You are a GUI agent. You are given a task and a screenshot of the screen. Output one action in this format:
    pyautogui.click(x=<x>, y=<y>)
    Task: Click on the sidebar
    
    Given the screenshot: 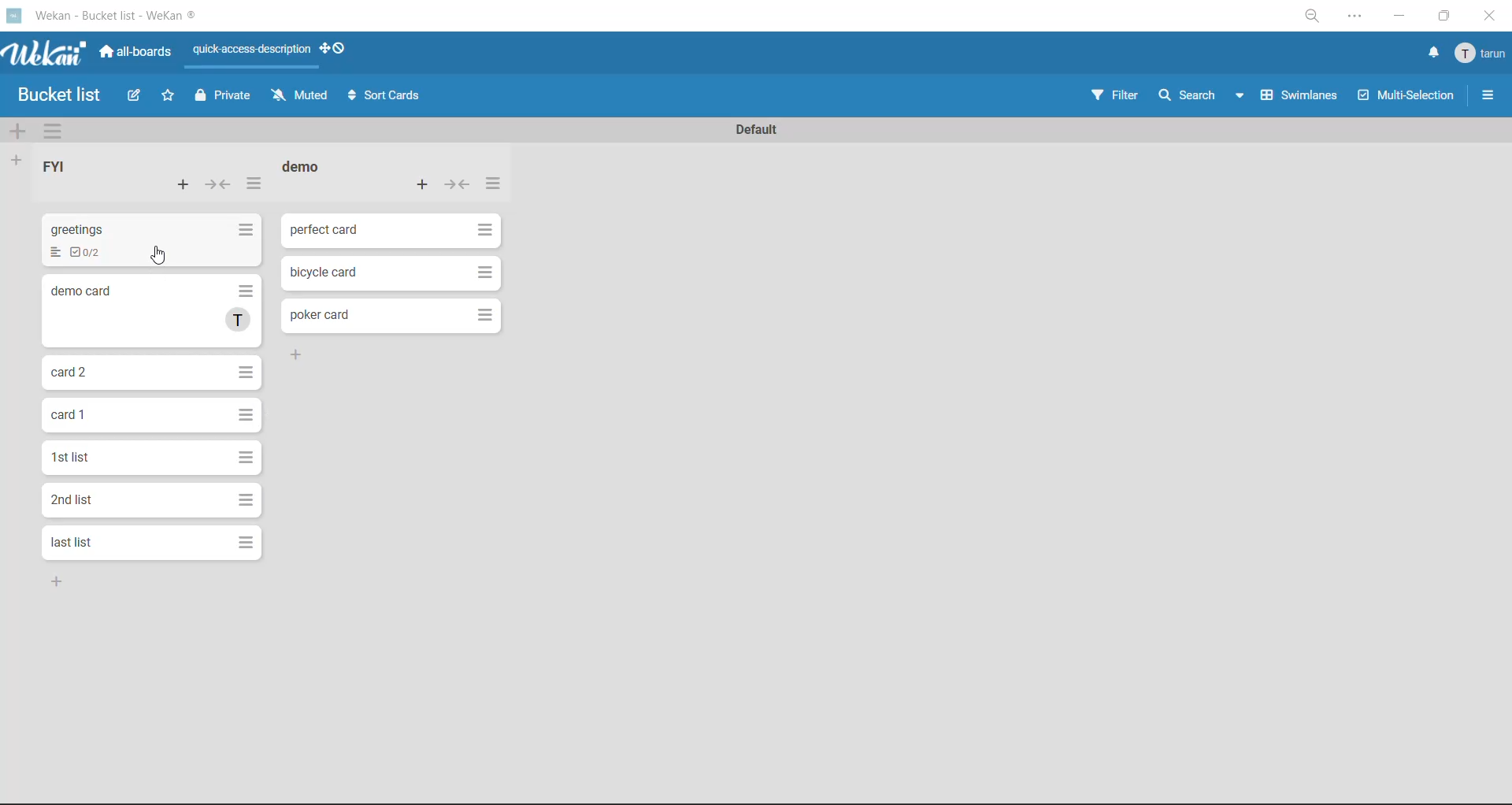 What is the action you would take?
    pyautogui.click(x=1487, y=93)
    